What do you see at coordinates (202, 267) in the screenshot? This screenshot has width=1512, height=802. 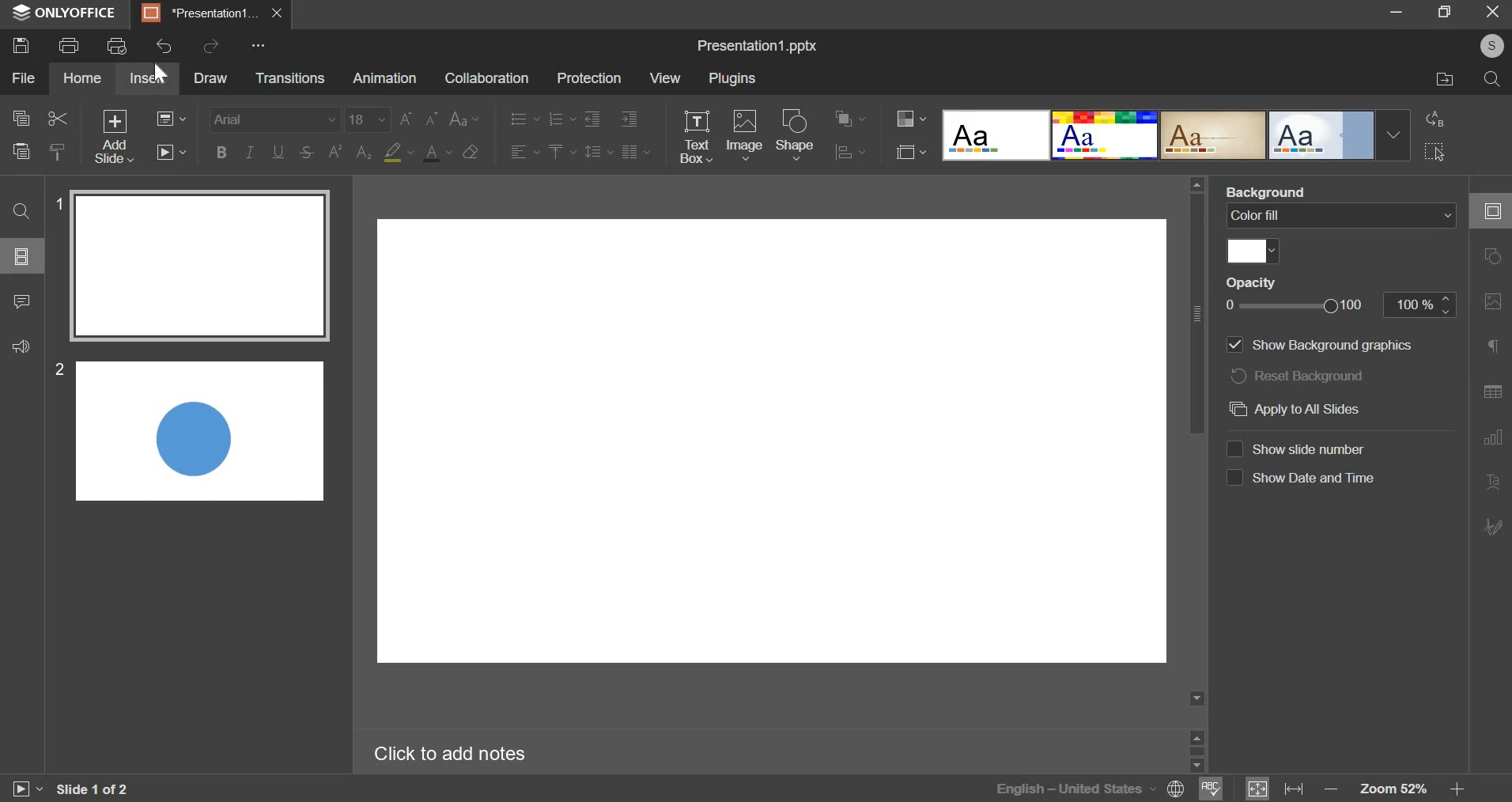 I see `slide 1 preview` at bounding box center [202, 267].